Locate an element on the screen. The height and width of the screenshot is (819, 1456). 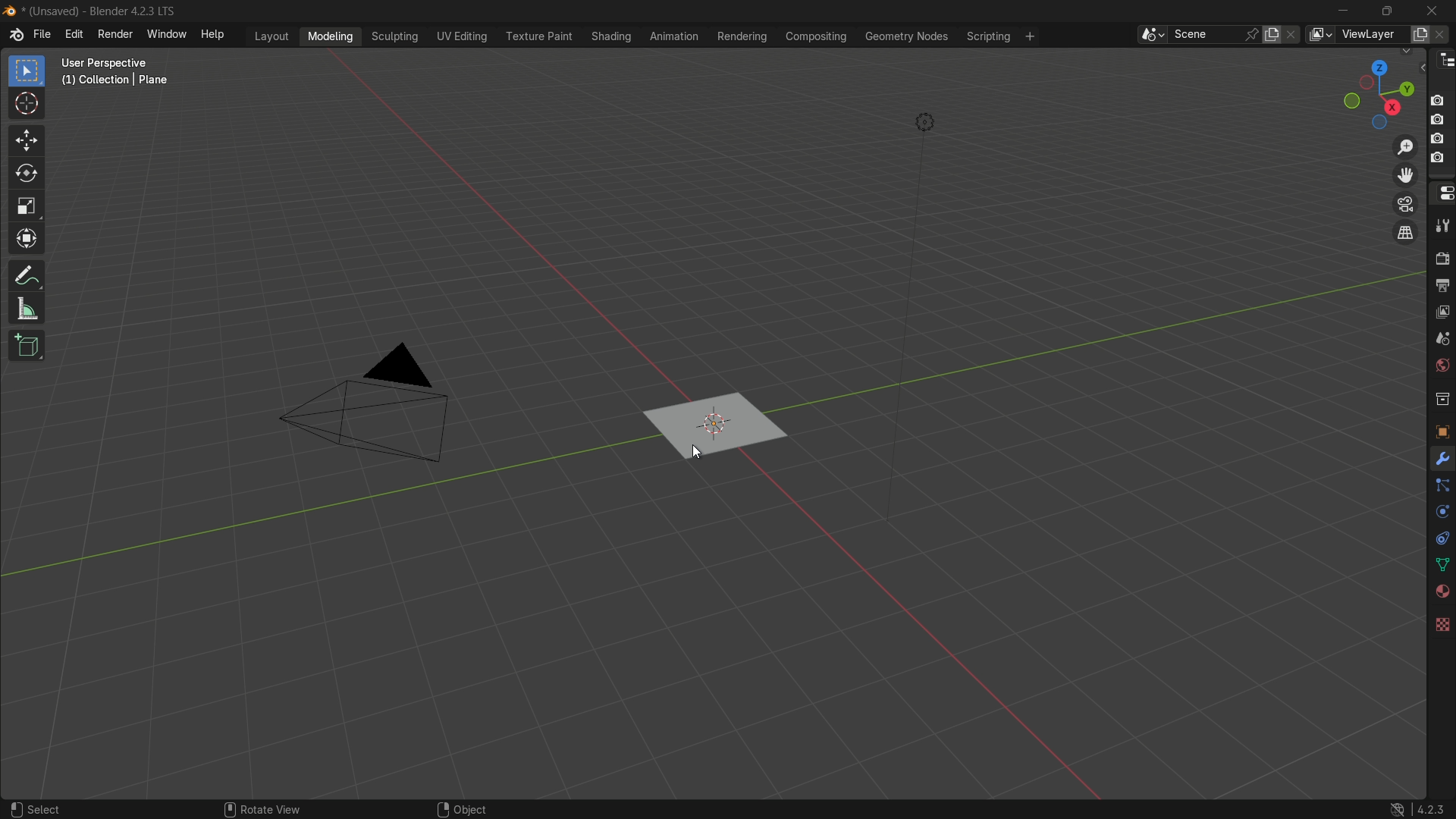
particles is located at coordinates (1442, 487).